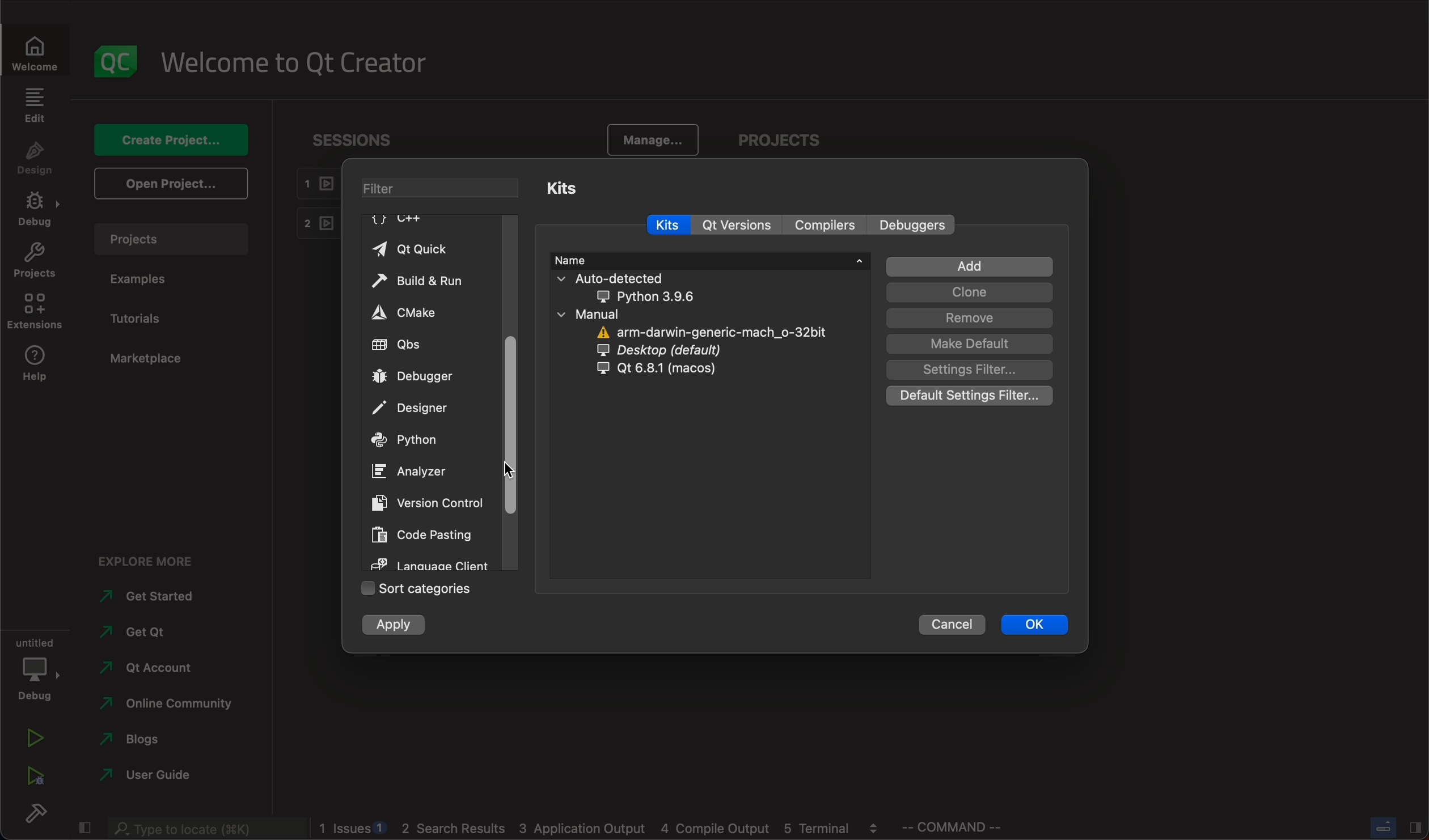  What do you see at coordinates (780, 138) in the screenshot?
I see `projects` at bounding box center [780, 138].